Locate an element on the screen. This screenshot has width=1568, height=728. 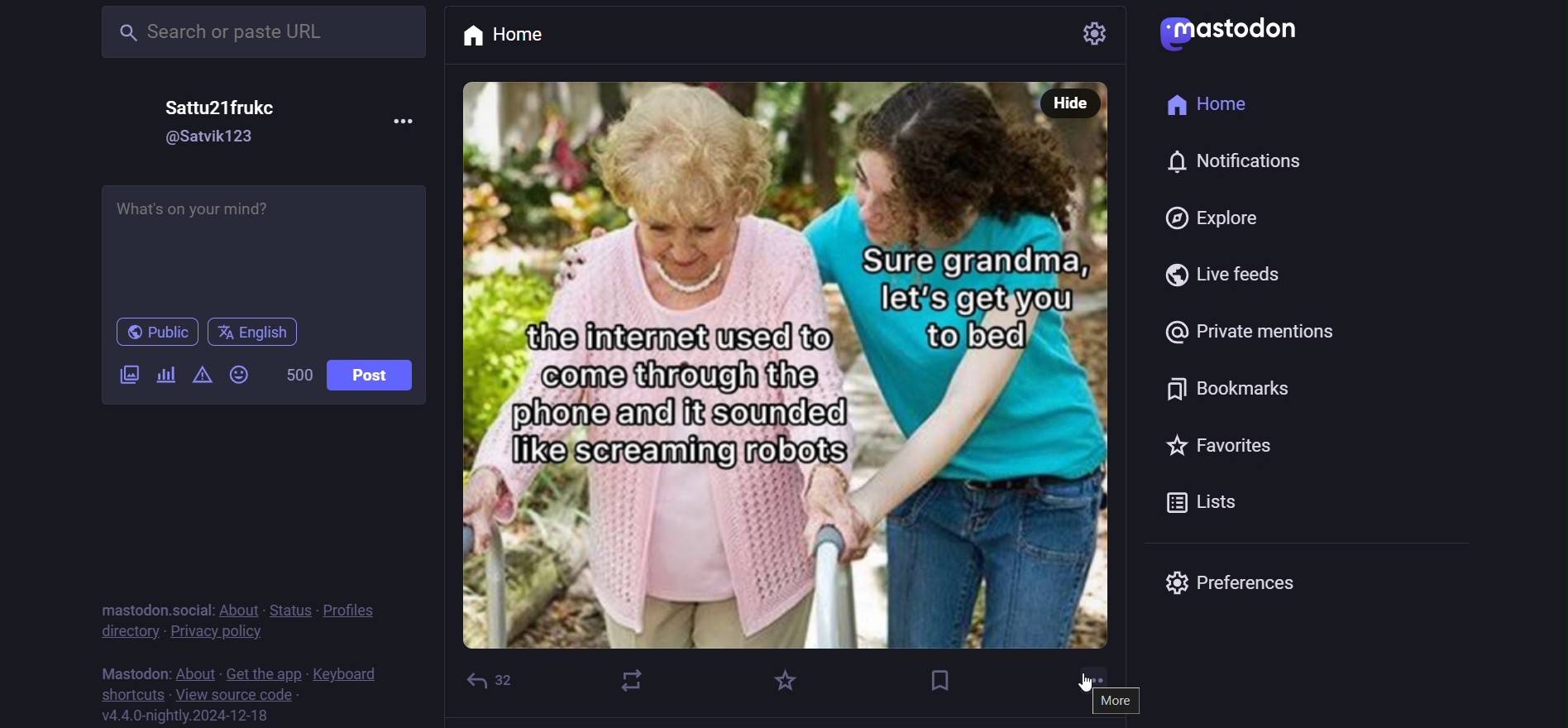
directory is located at coordinates (129, 630).